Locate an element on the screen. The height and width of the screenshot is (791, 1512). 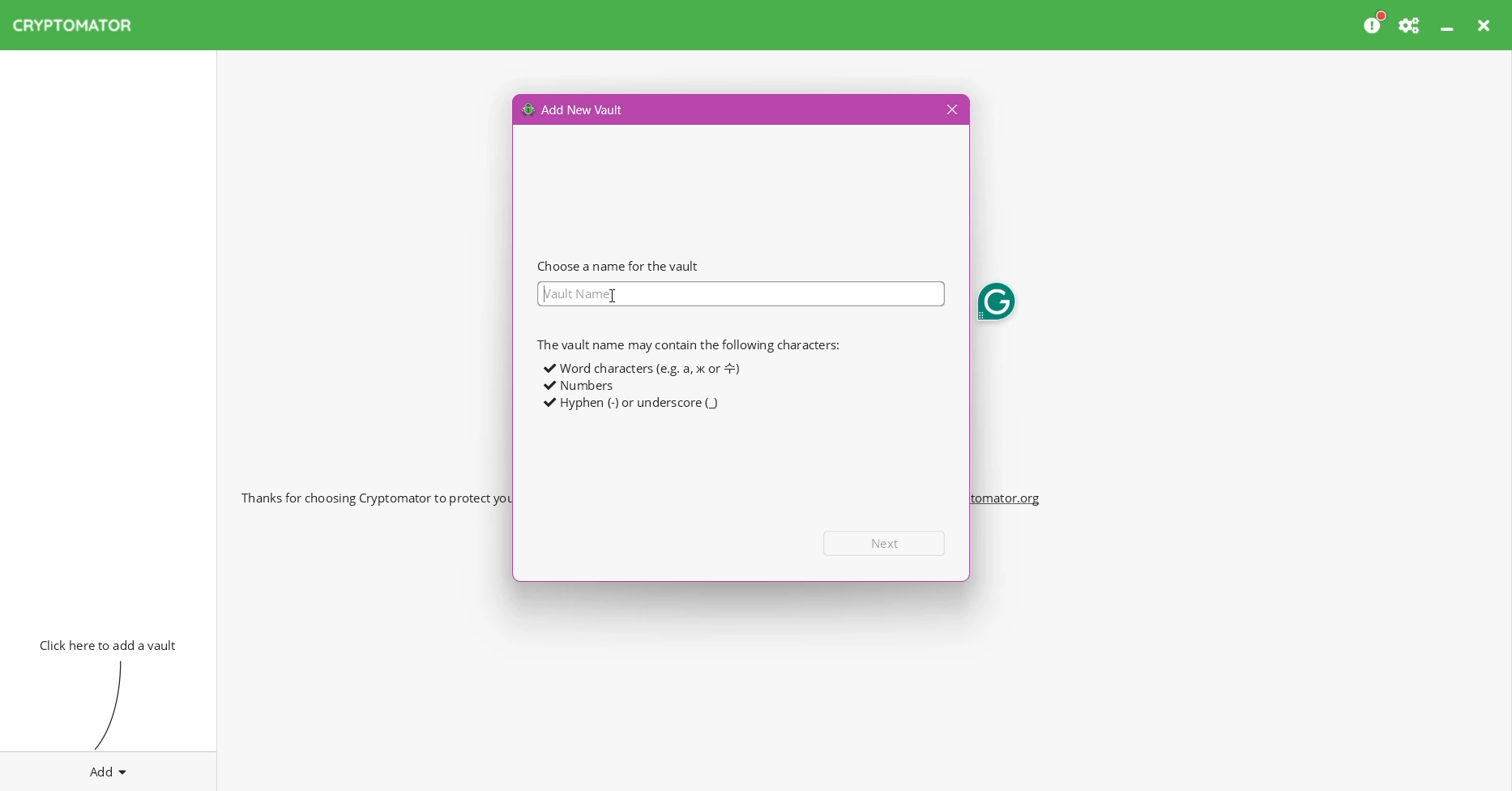
Insertion cursor is located at coordinates (611, 294).